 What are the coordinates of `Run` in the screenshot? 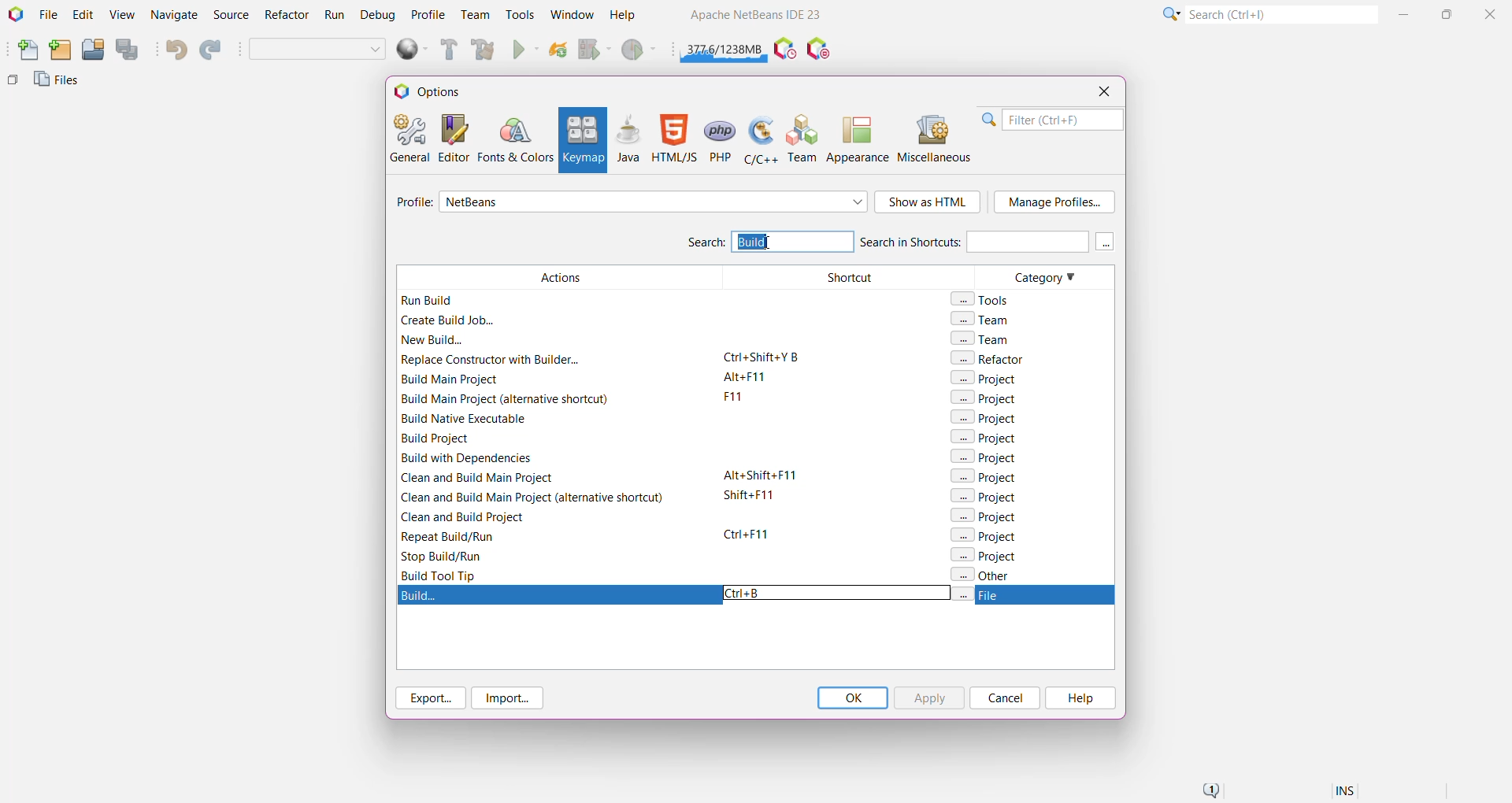 It's located at (335, 17).